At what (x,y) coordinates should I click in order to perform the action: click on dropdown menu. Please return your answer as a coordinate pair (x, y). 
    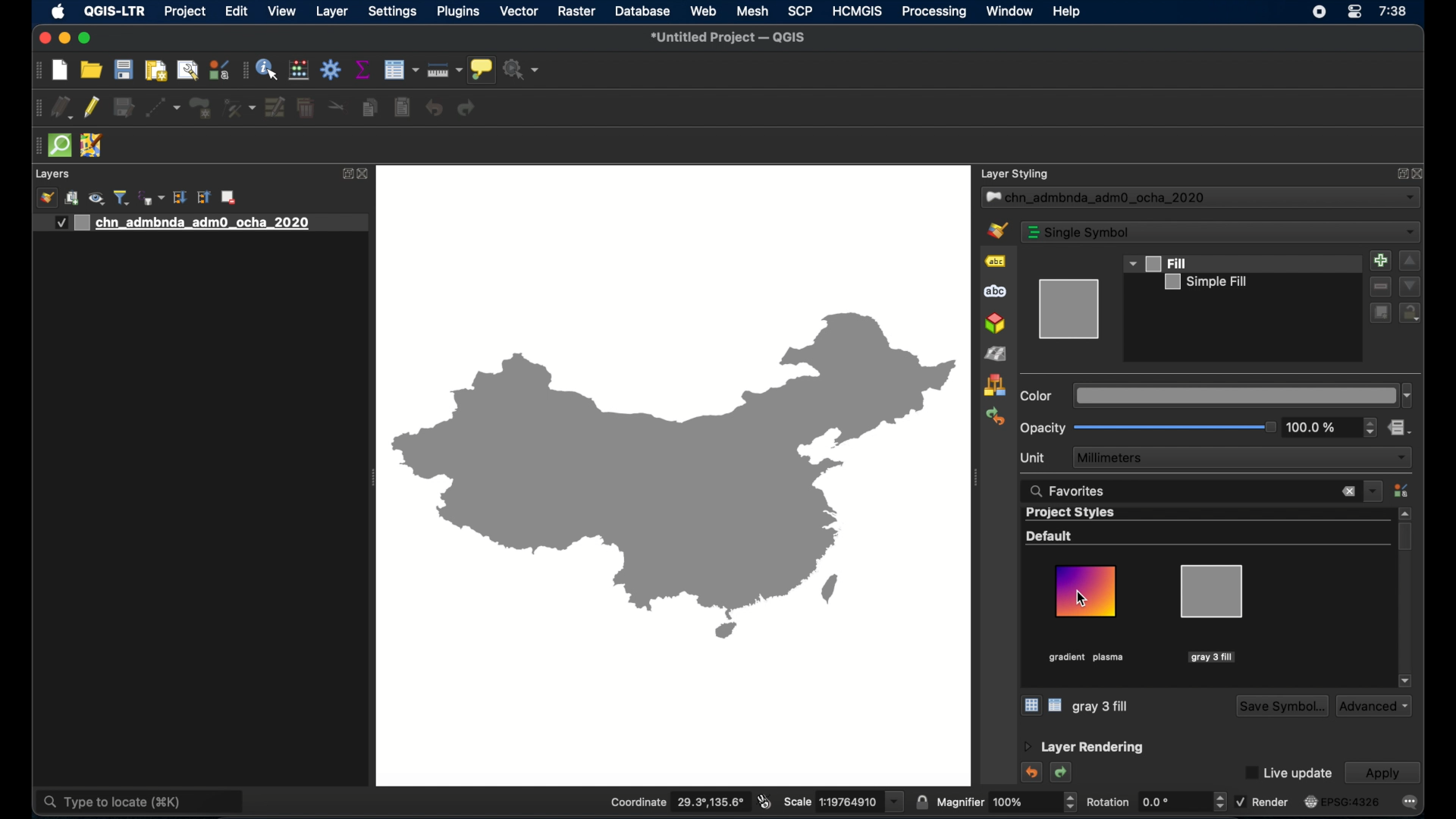
    Looking at the image, I should click on (1373, 491).